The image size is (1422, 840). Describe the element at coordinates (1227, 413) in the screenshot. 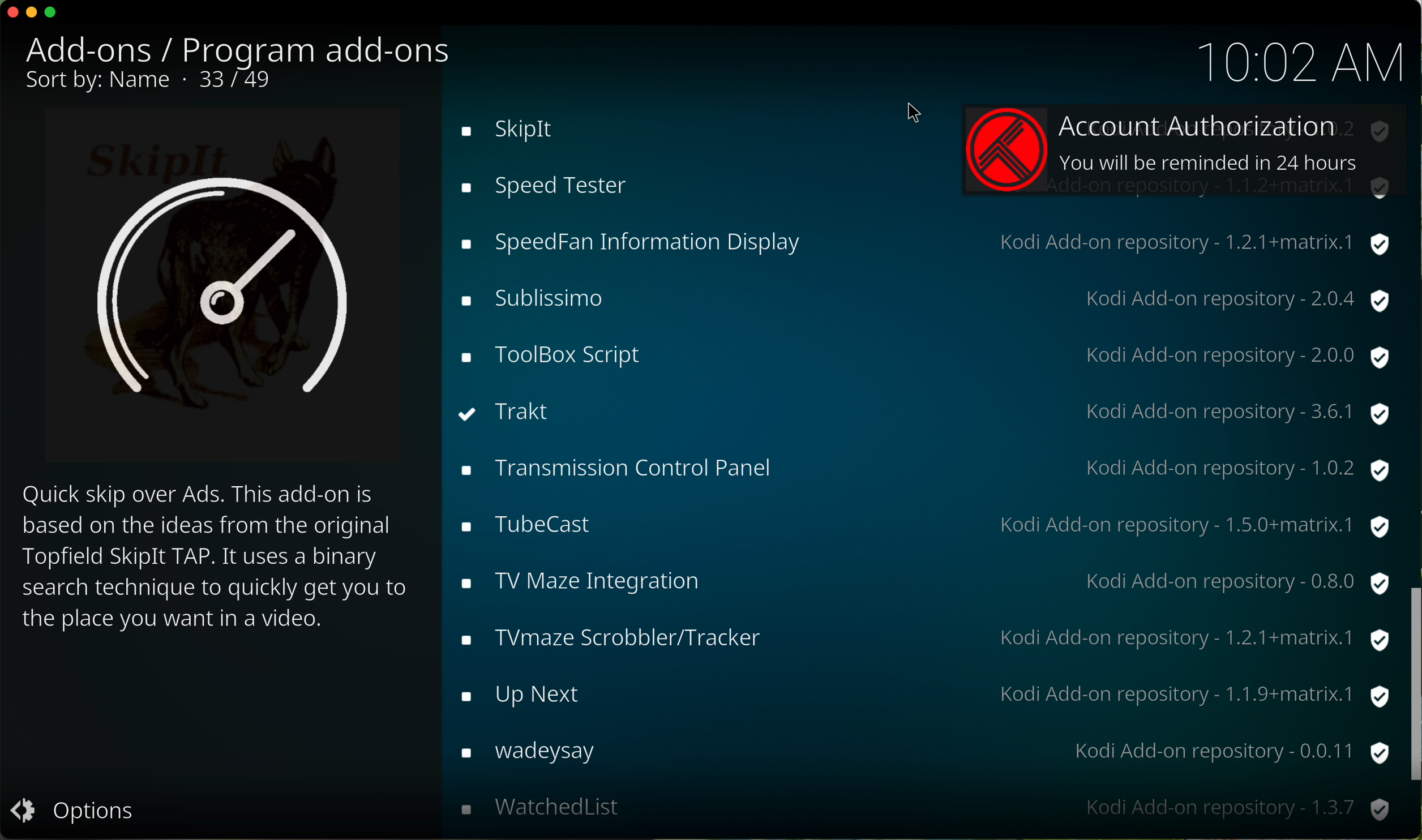

I see `kodi add-on` at that location.